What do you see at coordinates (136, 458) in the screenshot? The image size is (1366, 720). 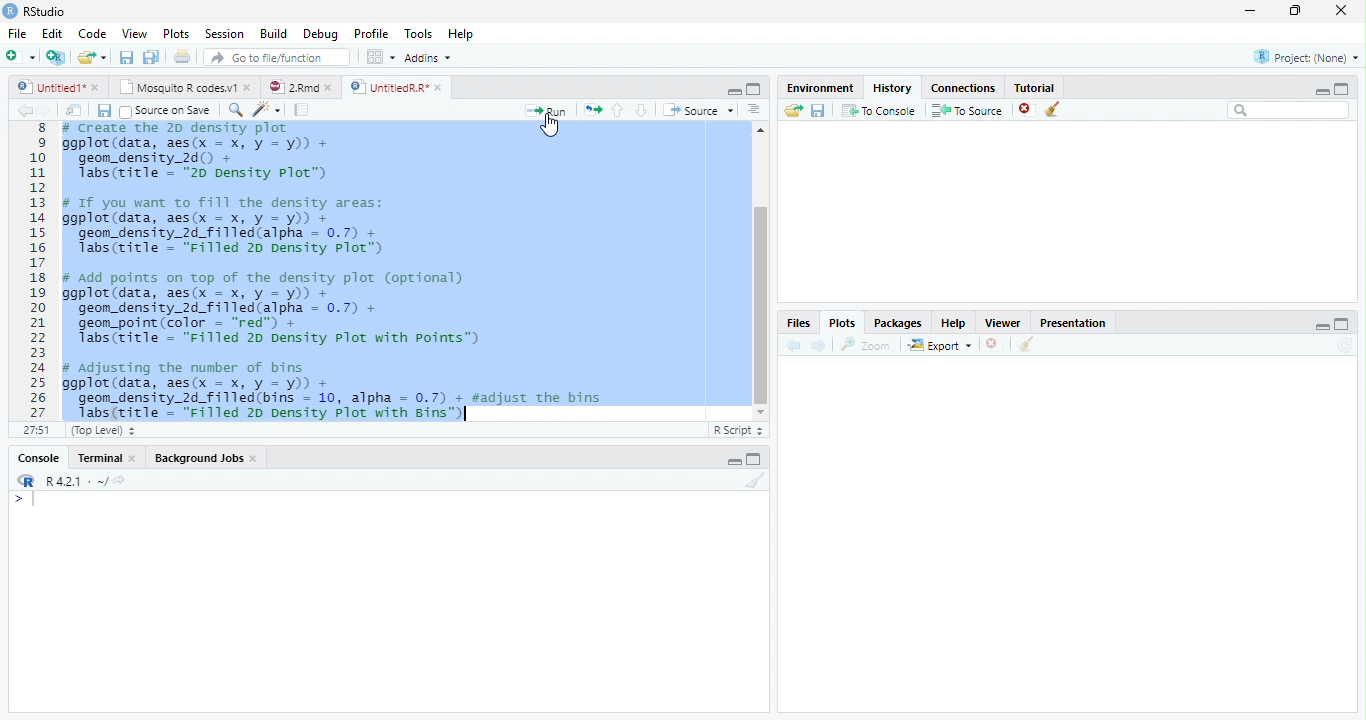 I see `close` at bounding box center [136, 458].